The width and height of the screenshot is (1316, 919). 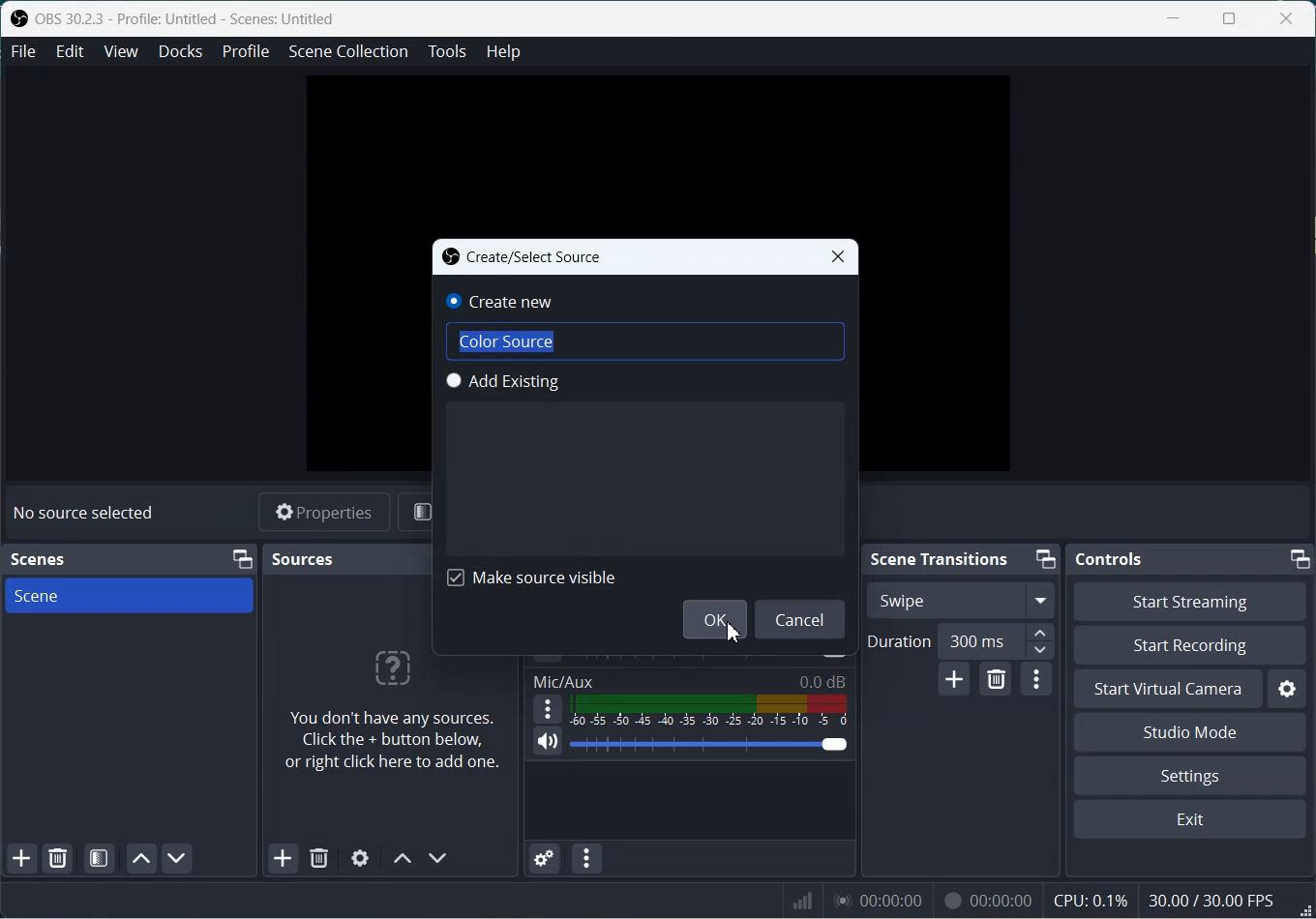 What do you see at coordinates (710, 712) in the screenshot?
I see `Volume Indicator` at bounding box center [710, 712].